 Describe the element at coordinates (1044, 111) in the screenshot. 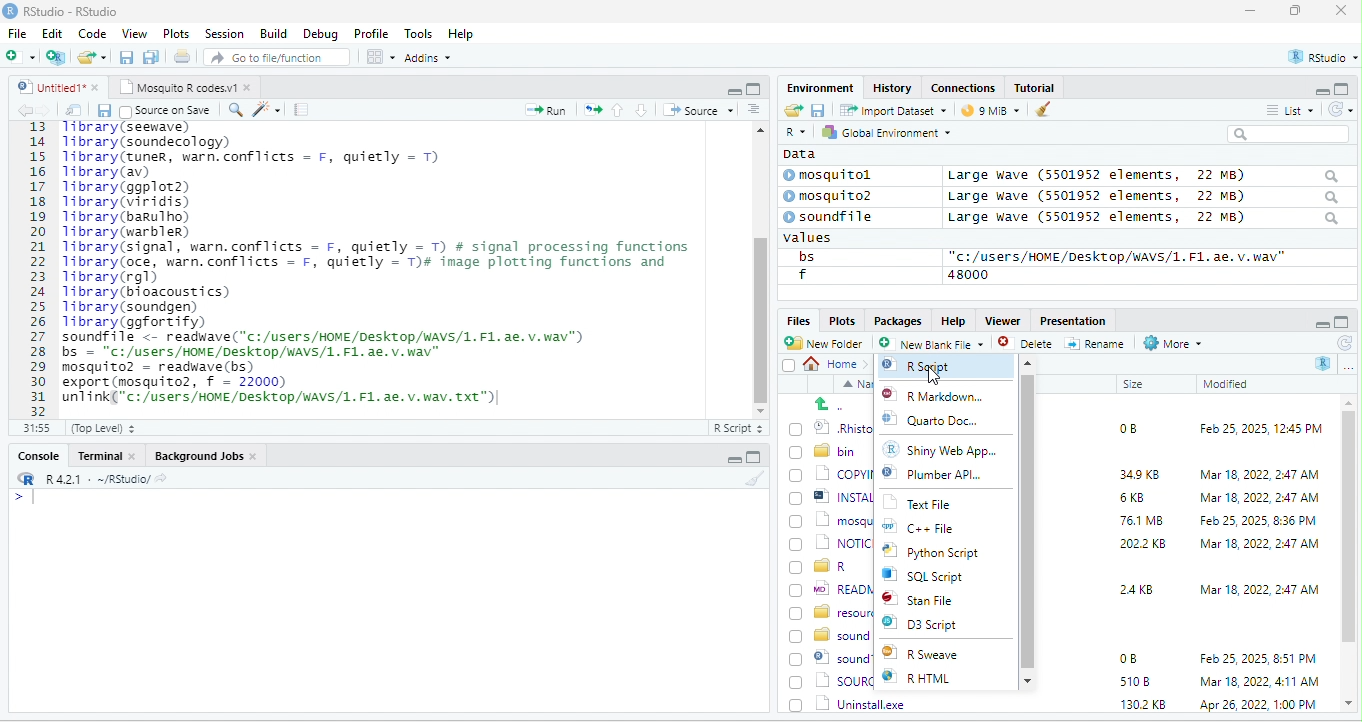

I see `brush` at that location.